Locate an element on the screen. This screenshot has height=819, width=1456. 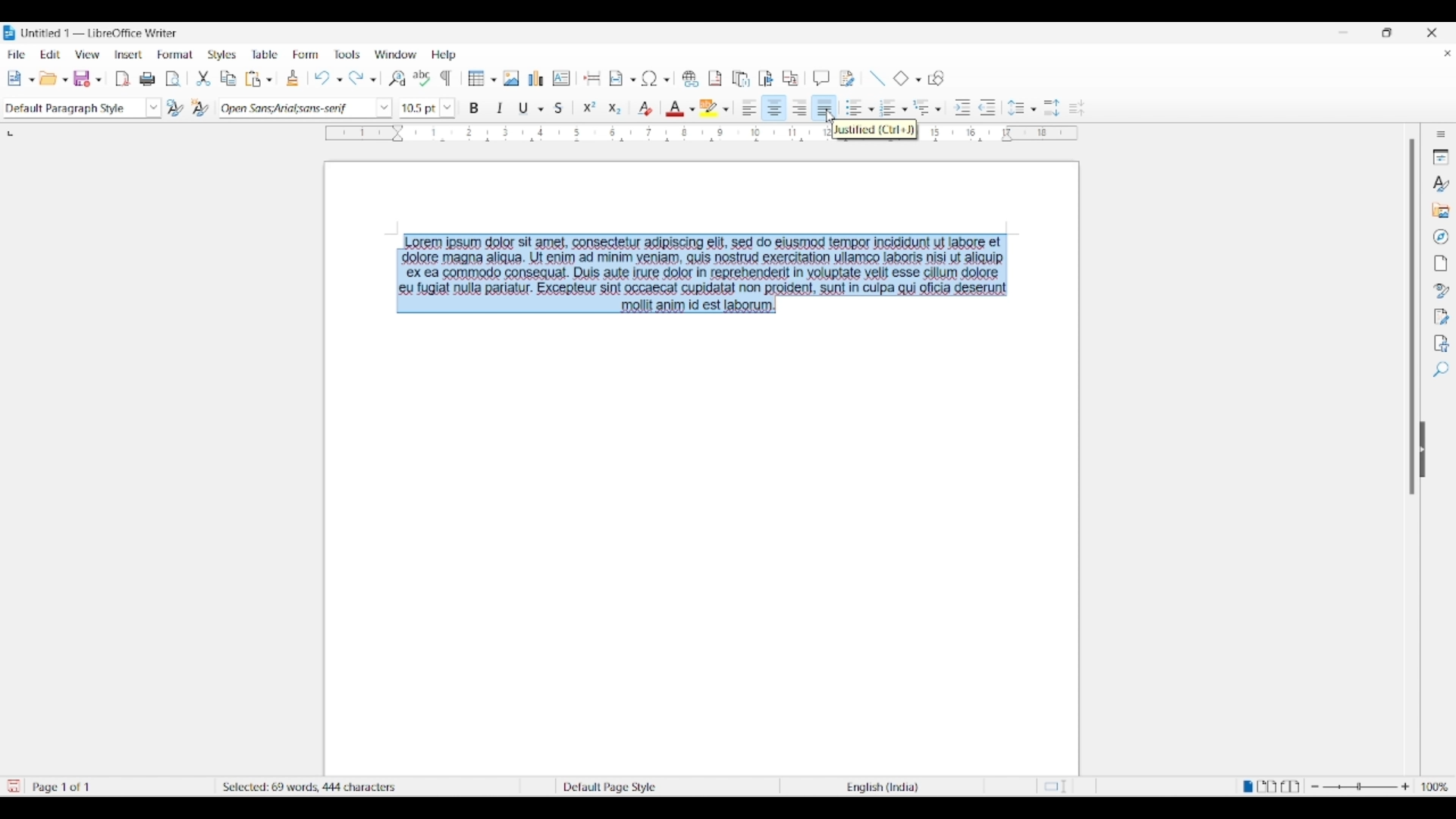
Page is located at coordinates (1440, 263).